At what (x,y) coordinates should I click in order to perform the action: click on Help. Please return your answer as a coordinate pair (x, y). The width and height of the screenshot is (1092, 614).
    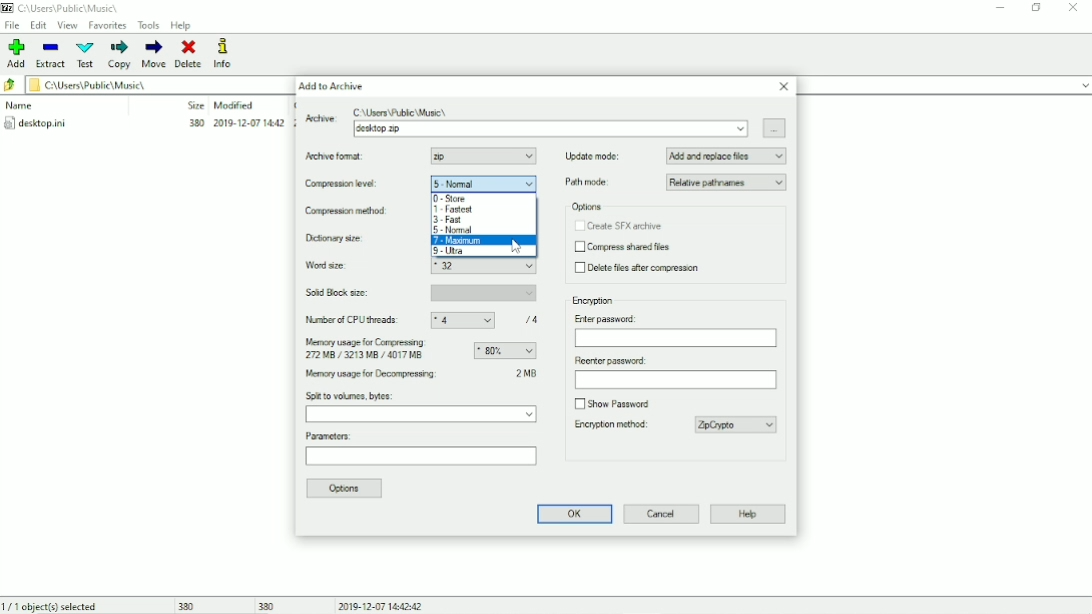
    Looking at the image, I should click on (749, 515).